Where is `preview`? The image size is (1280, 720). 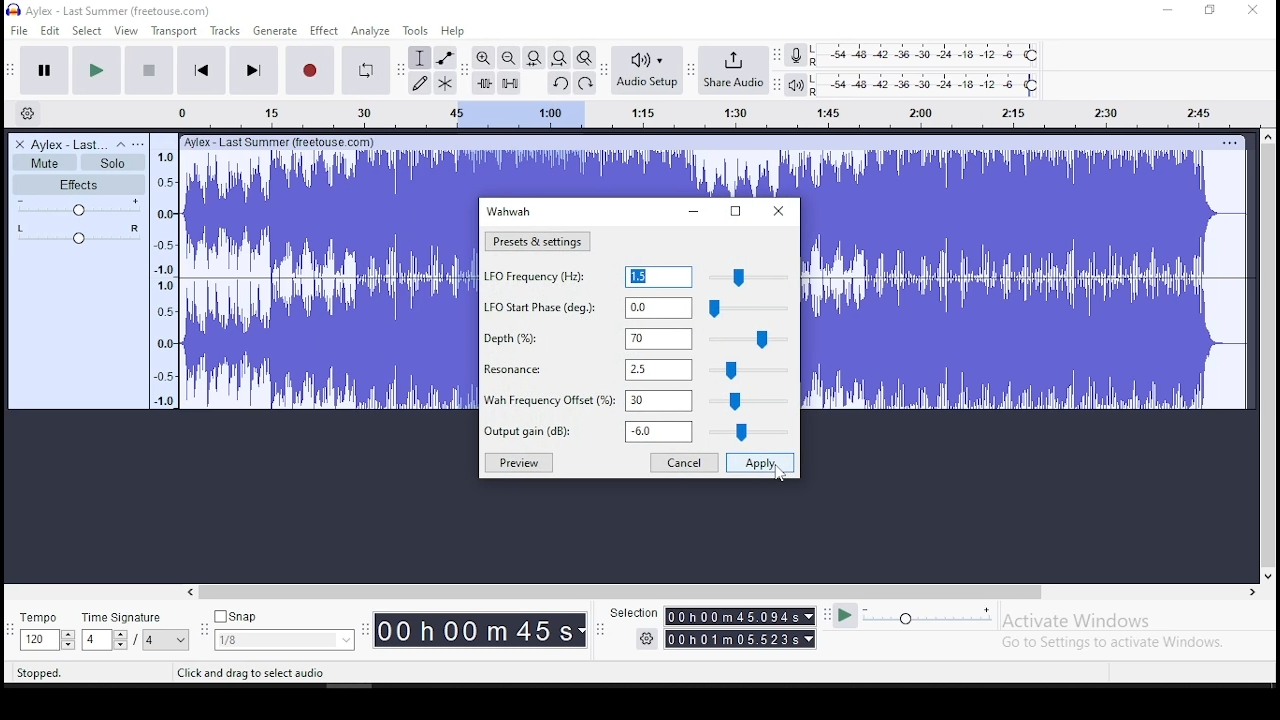
preview is located at coordinates (517, 463).